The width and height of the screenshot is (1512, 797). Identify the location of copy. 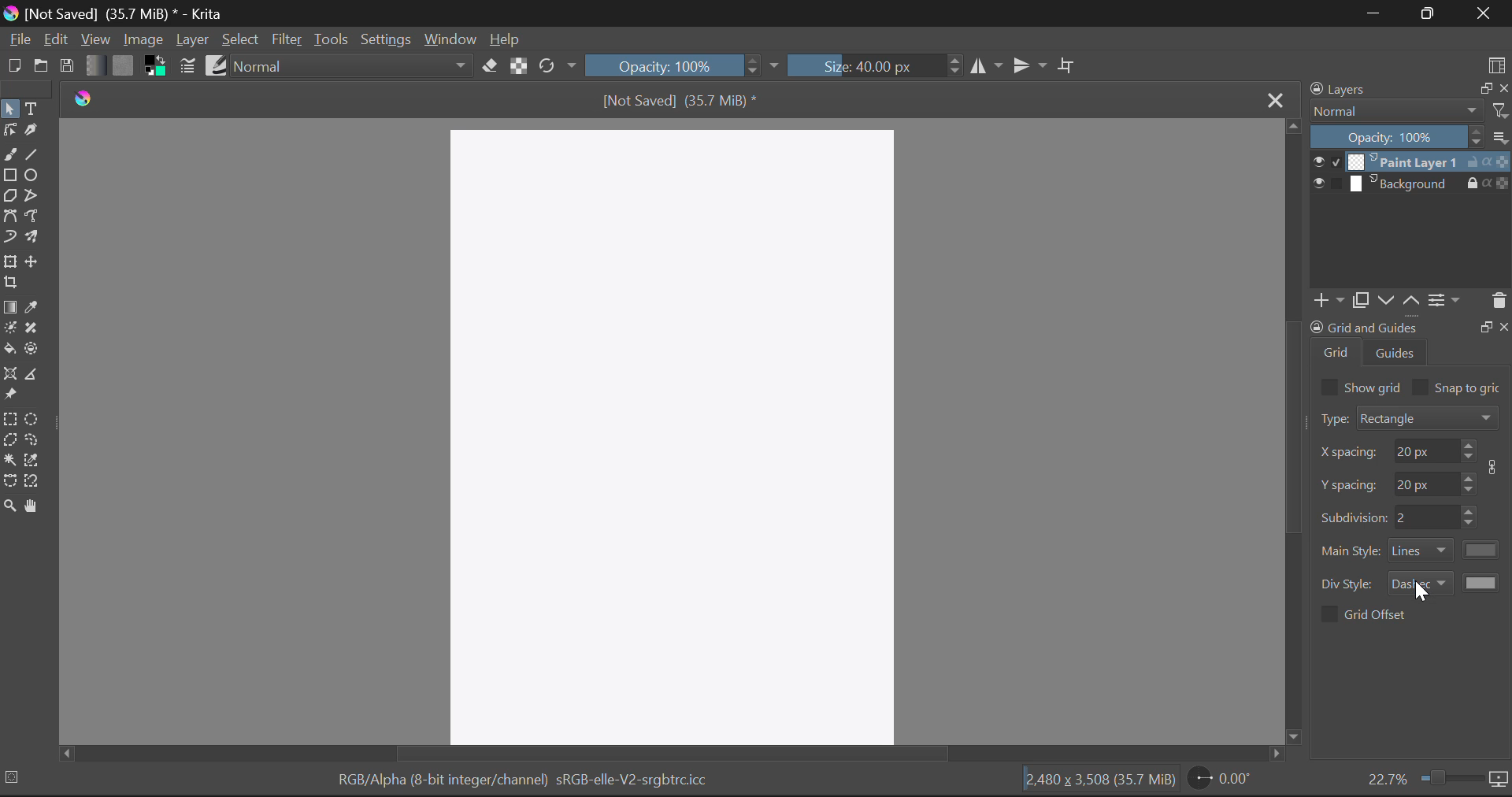
(1483, 87).